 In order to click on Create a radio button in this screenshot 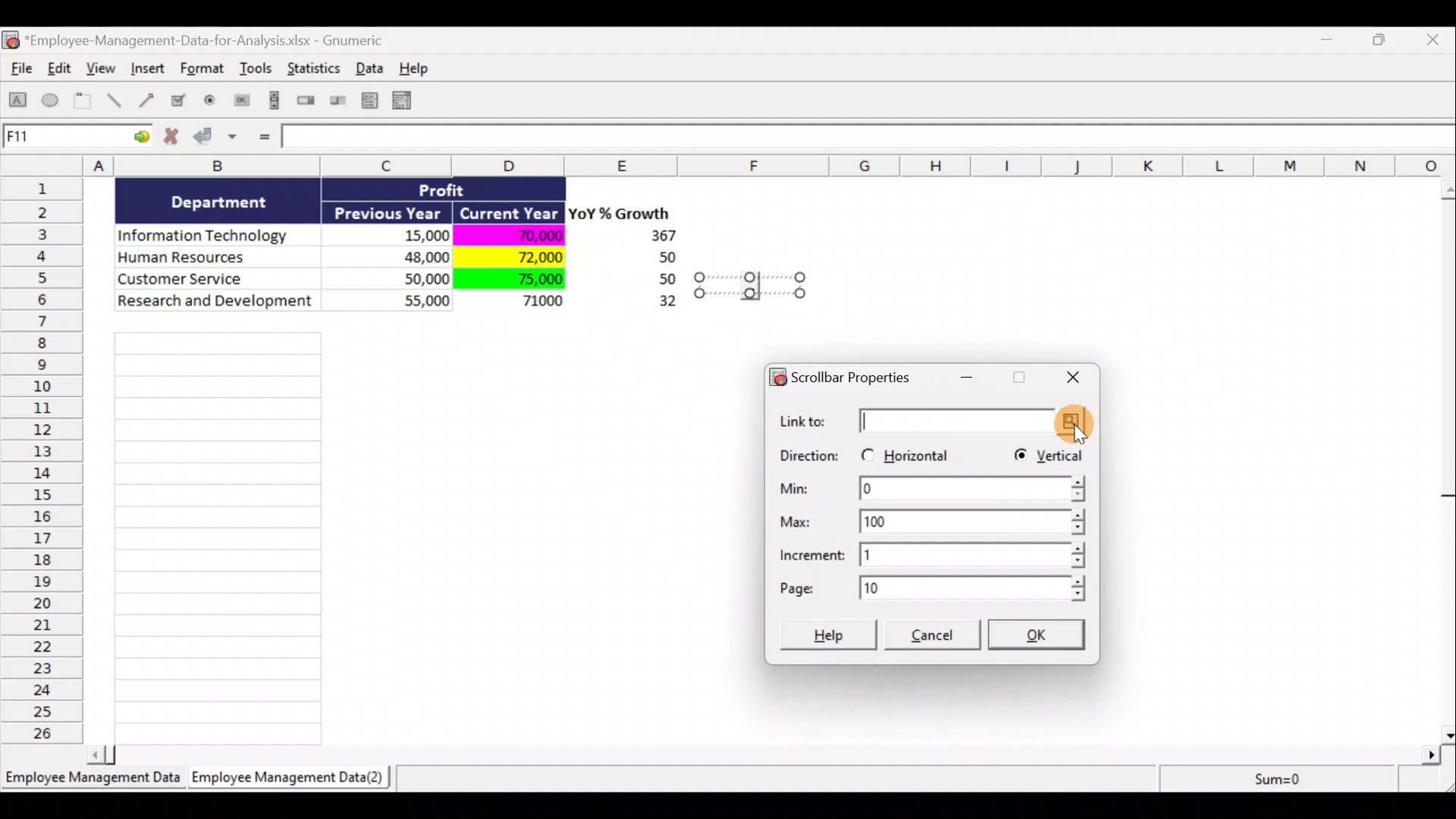, I will do `click(211, 102)`.